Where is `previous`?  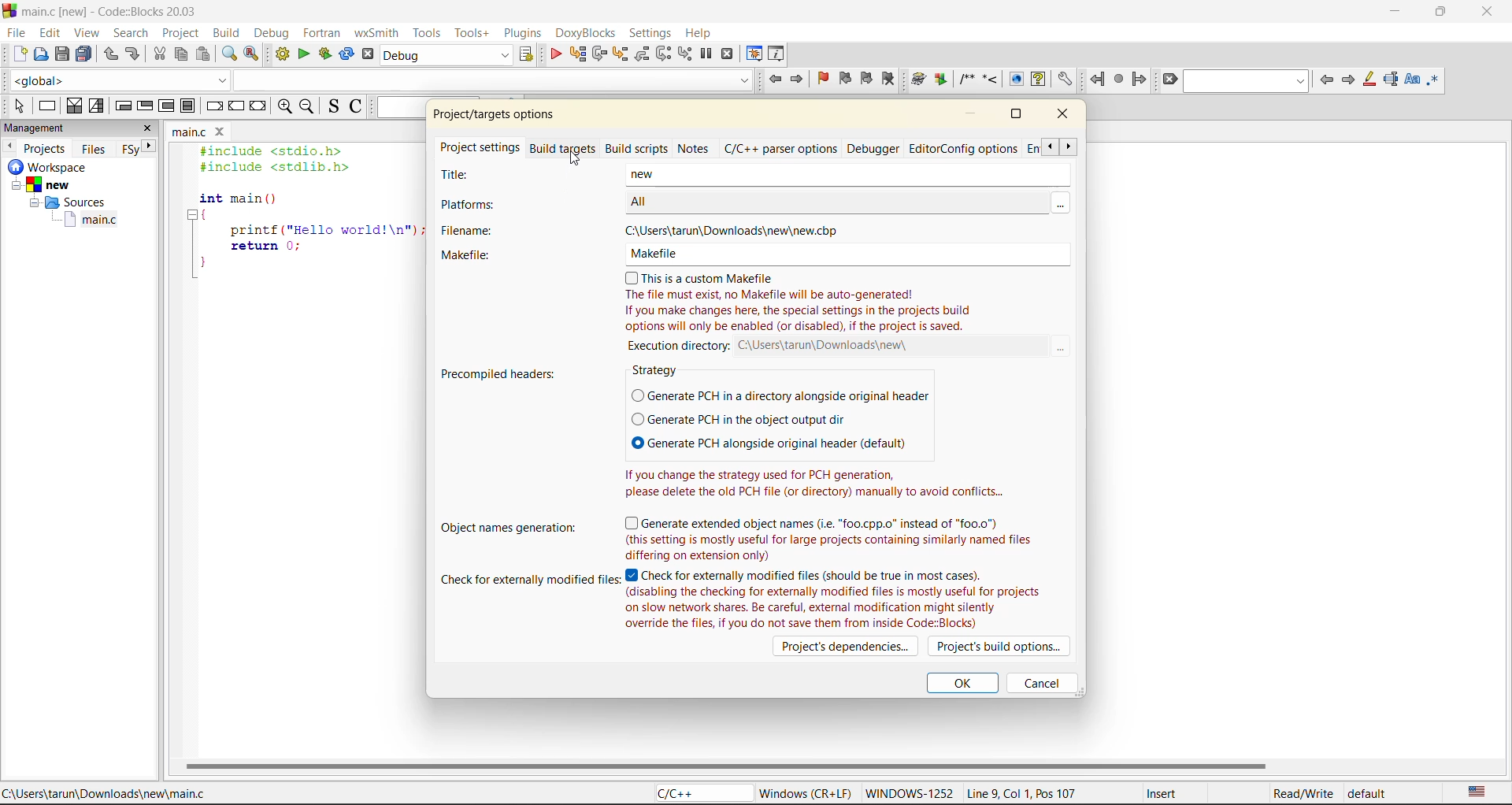
previous is located at coordinates (1327, 81).